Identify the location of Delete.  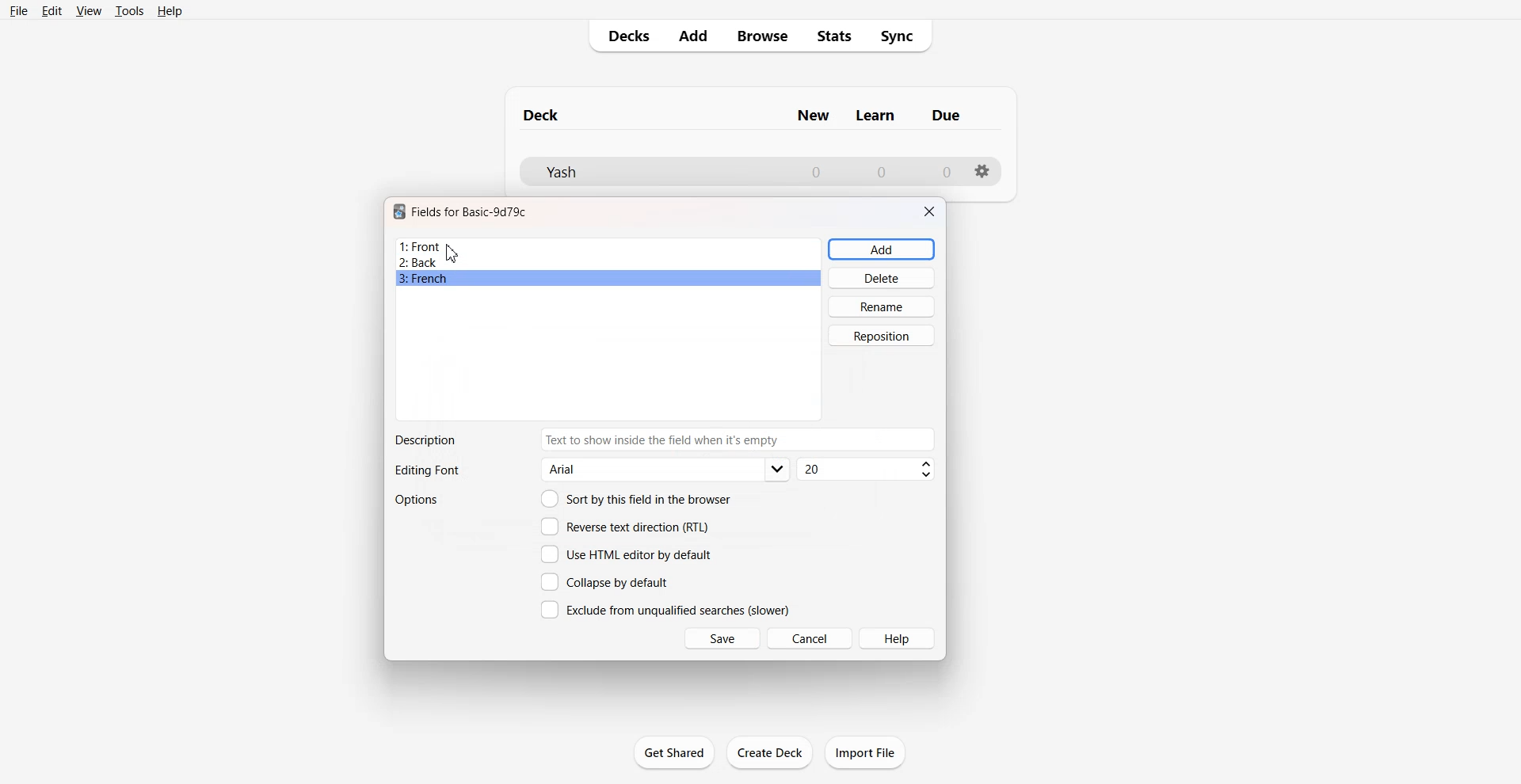
(882, 277).